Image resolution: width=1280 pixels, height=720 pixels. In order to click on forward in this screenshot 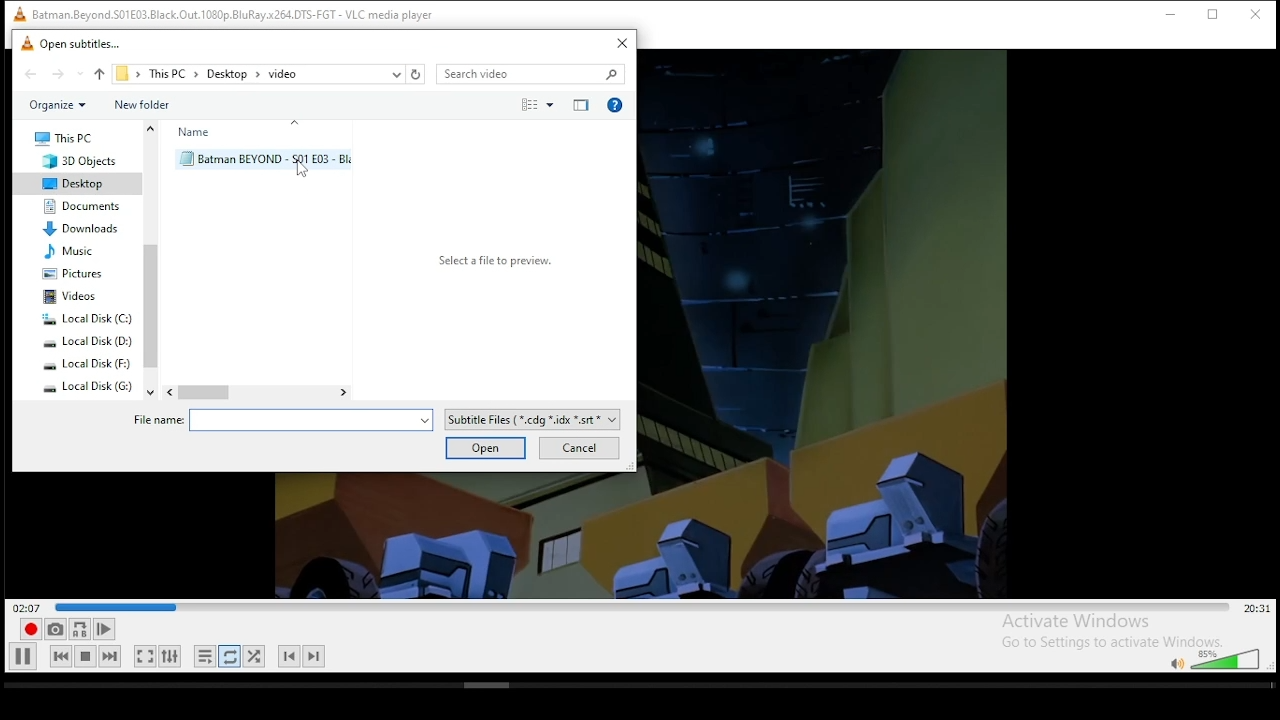, I will do `click(67, 74)`.